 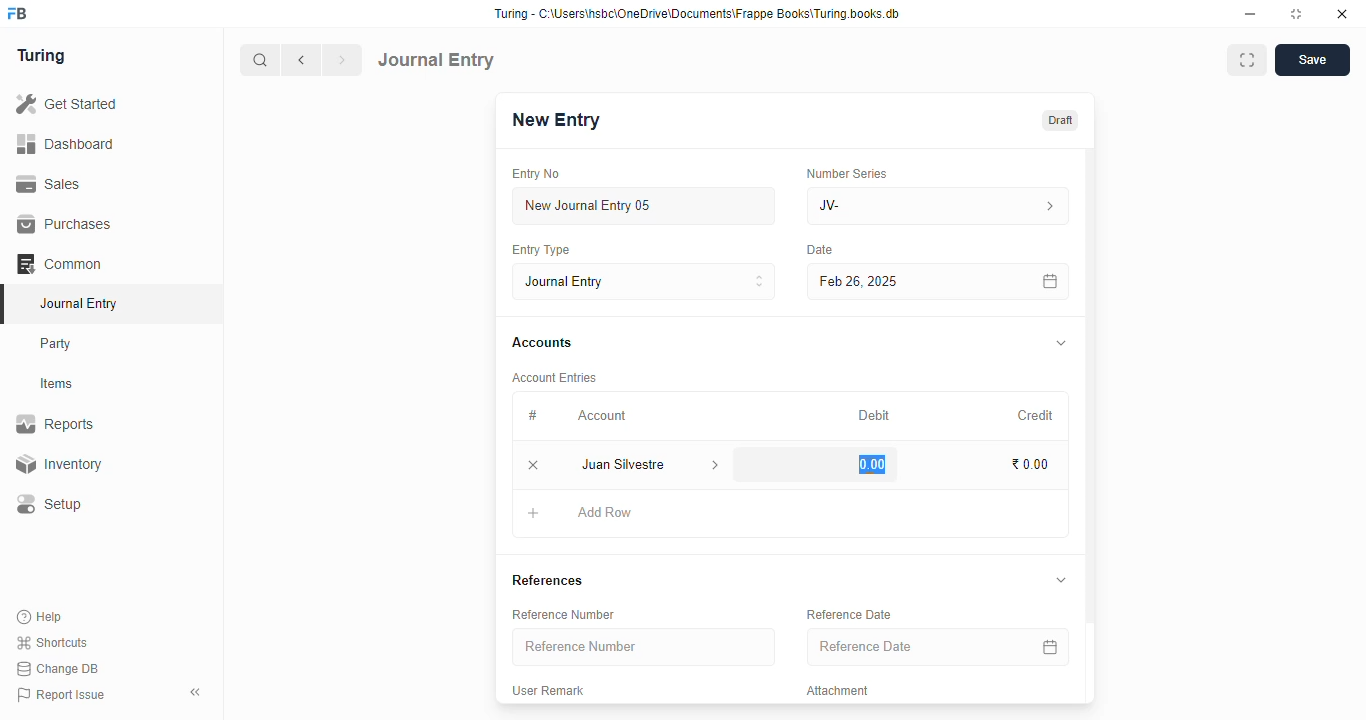 I want to click on reference number, so click(x=644, y=647).